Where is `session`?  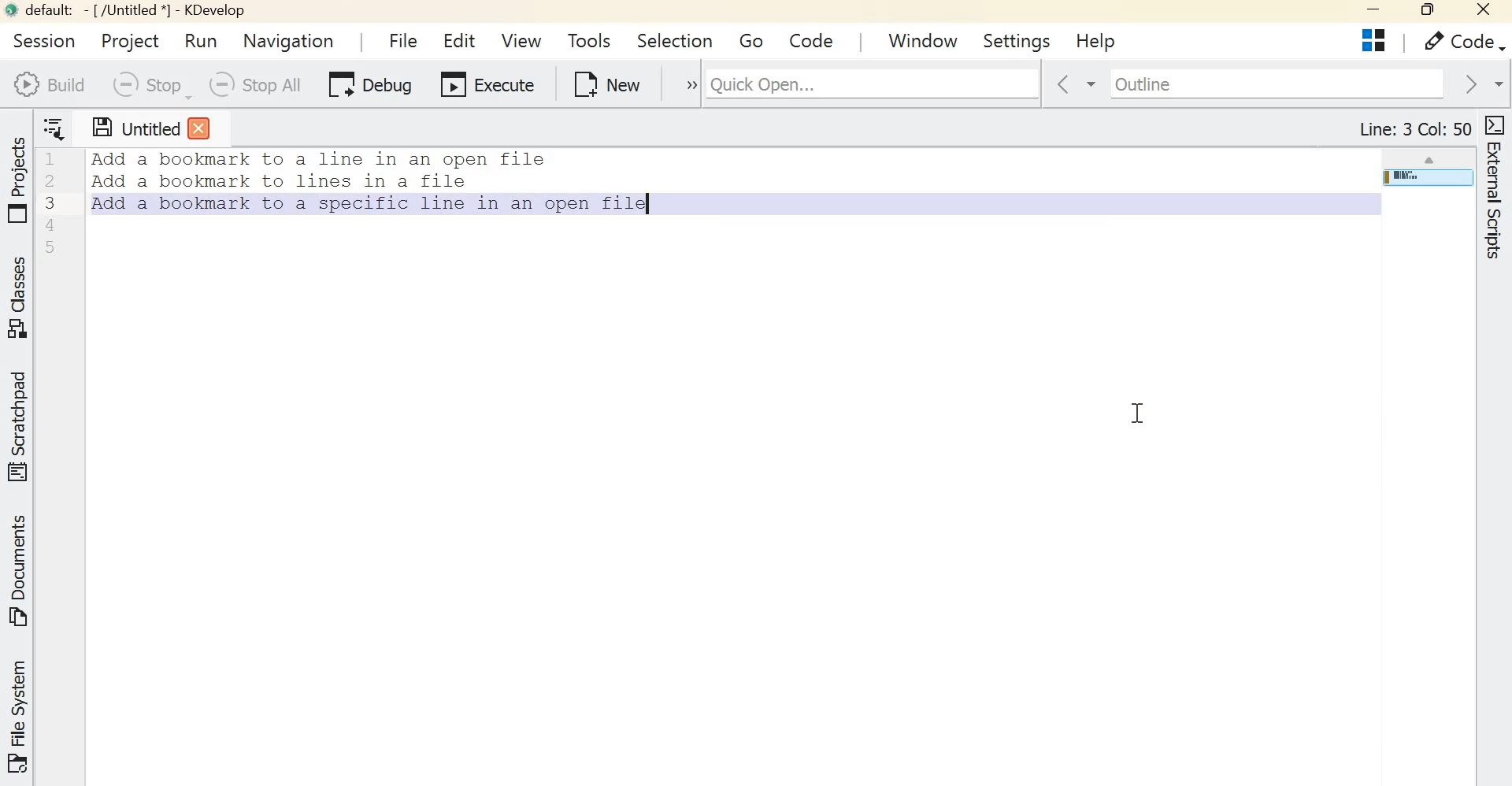 session is located at coordinates (44, 40).